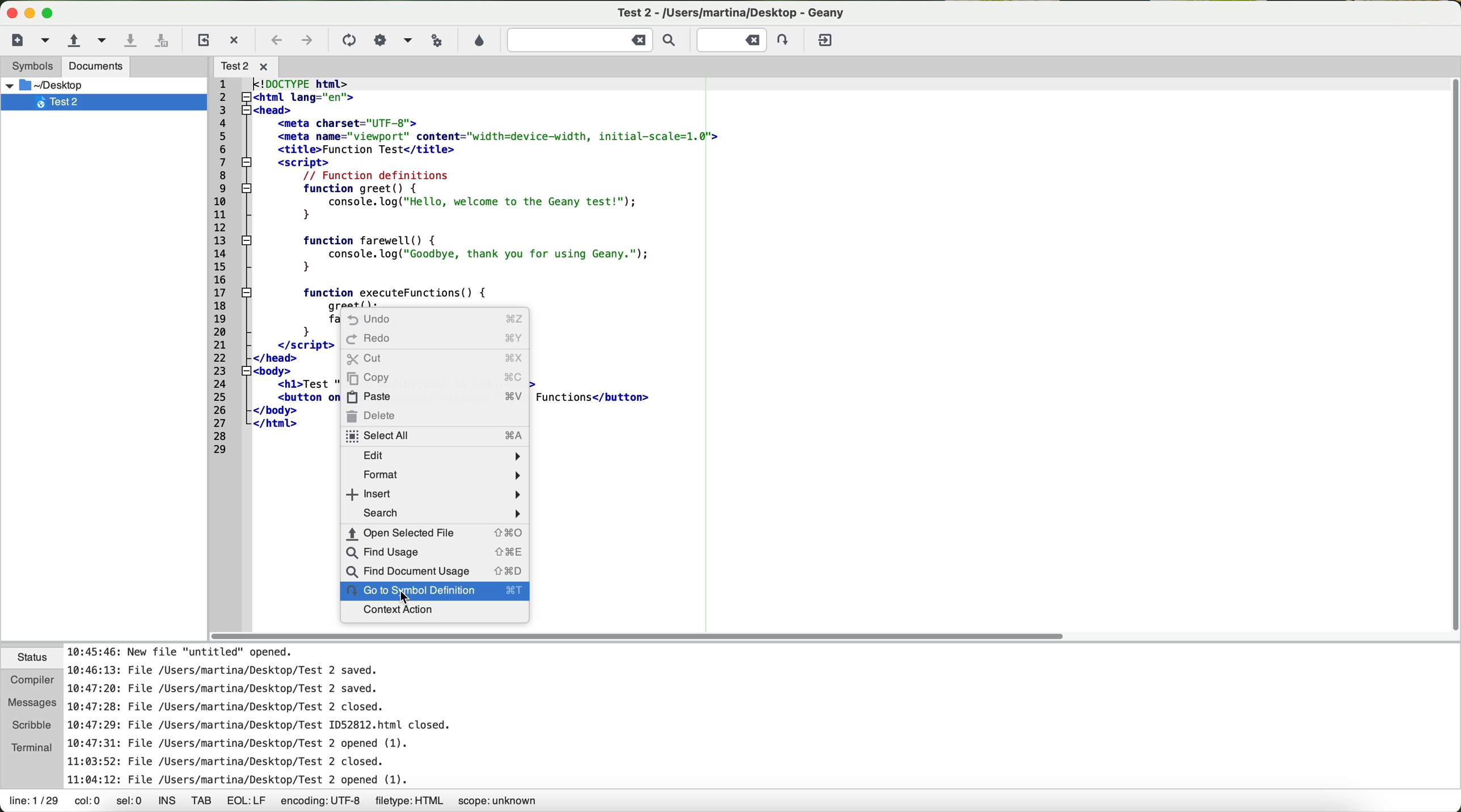  What do you see at coordinates (202, 41) in the screenshot?
I see `reload the current file from diskl` at bounding box center [202, 41].